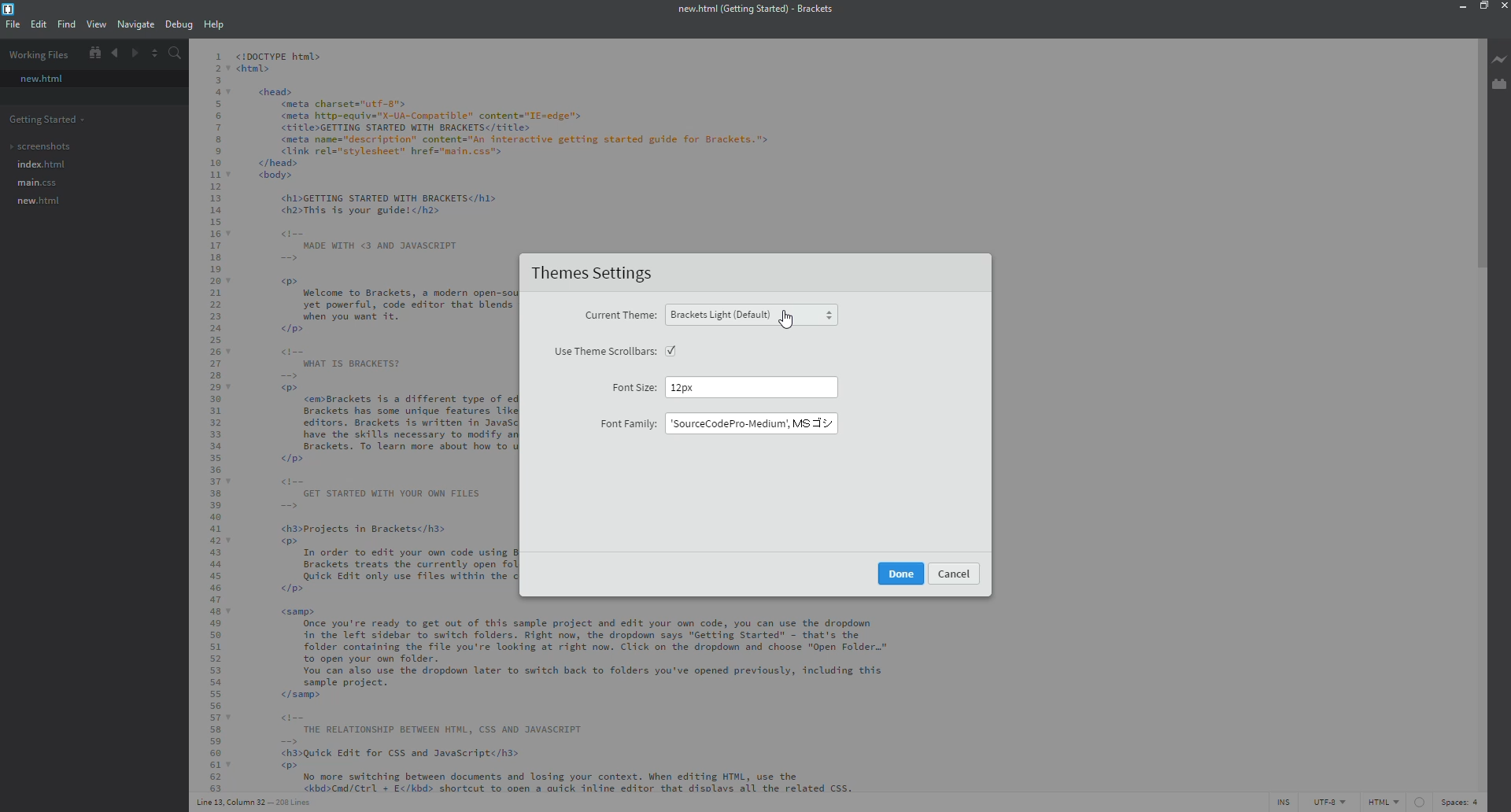 This screenshot has height=812, width=1511. Describe the element at coordinates (753, 10) in the screenshot. I see `brackets` at that location.